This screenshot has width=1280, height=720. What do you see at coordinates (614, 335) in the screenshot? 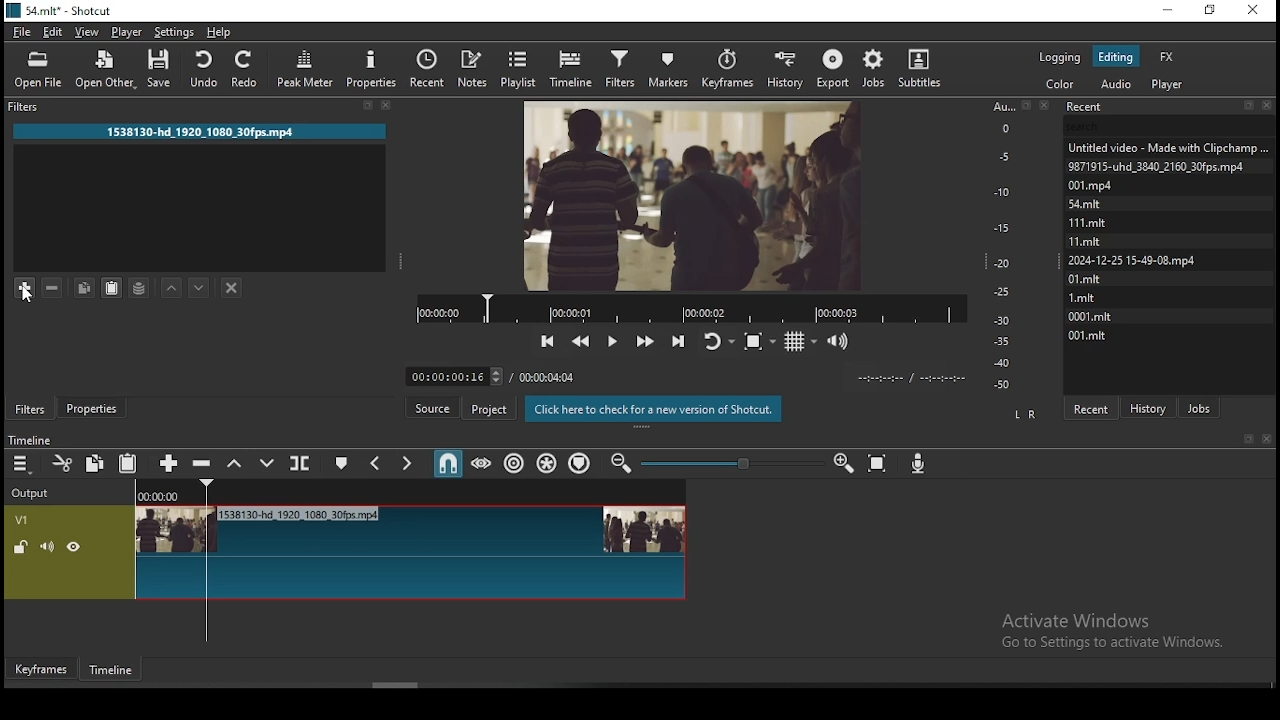
I see `play/pause` at bounding box center [614, 335].